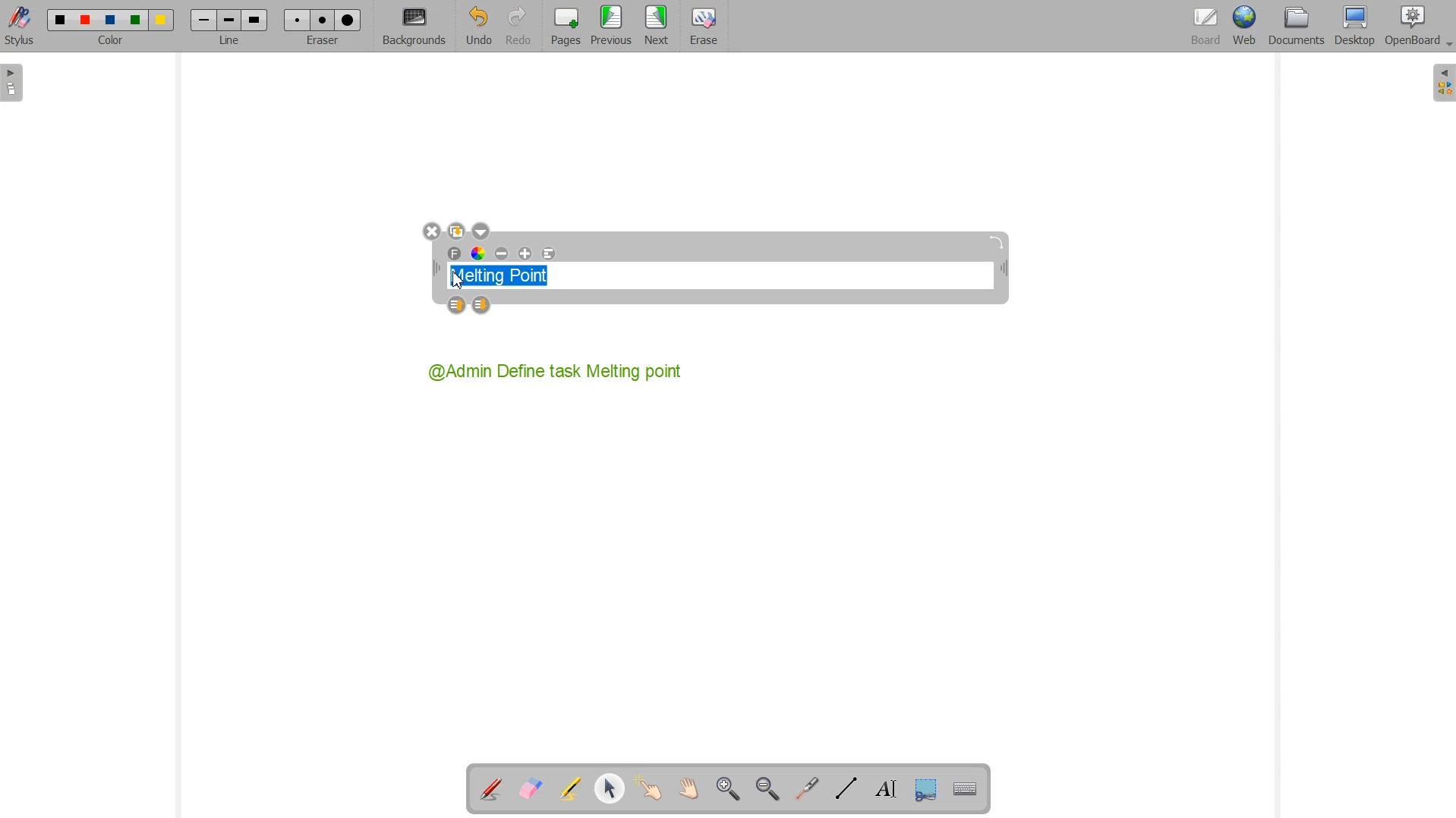  I want to click on Eraser, so click(701, 27).